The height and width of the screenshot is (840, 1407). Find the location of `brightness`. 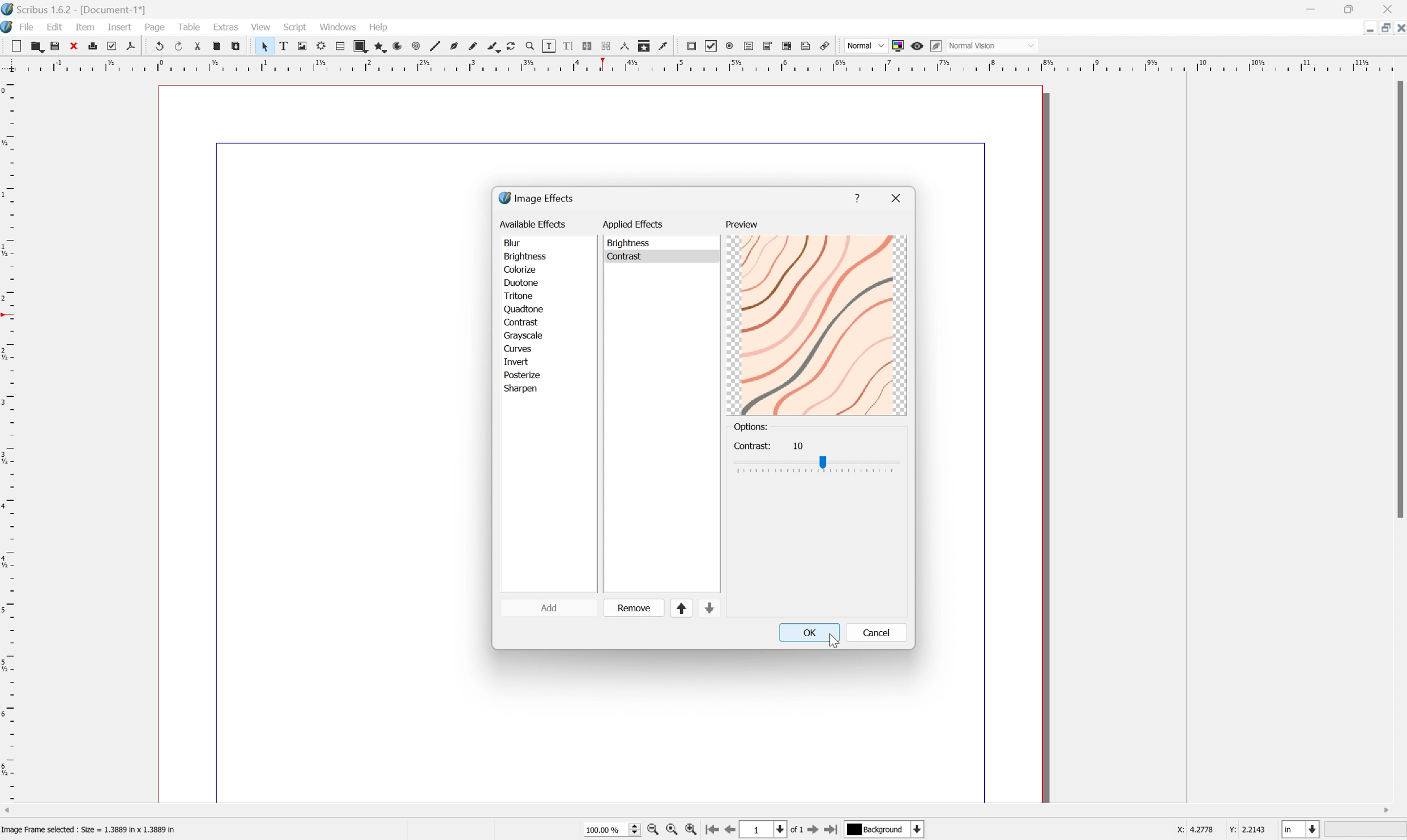

brightness is located at coordinates (526, 256).